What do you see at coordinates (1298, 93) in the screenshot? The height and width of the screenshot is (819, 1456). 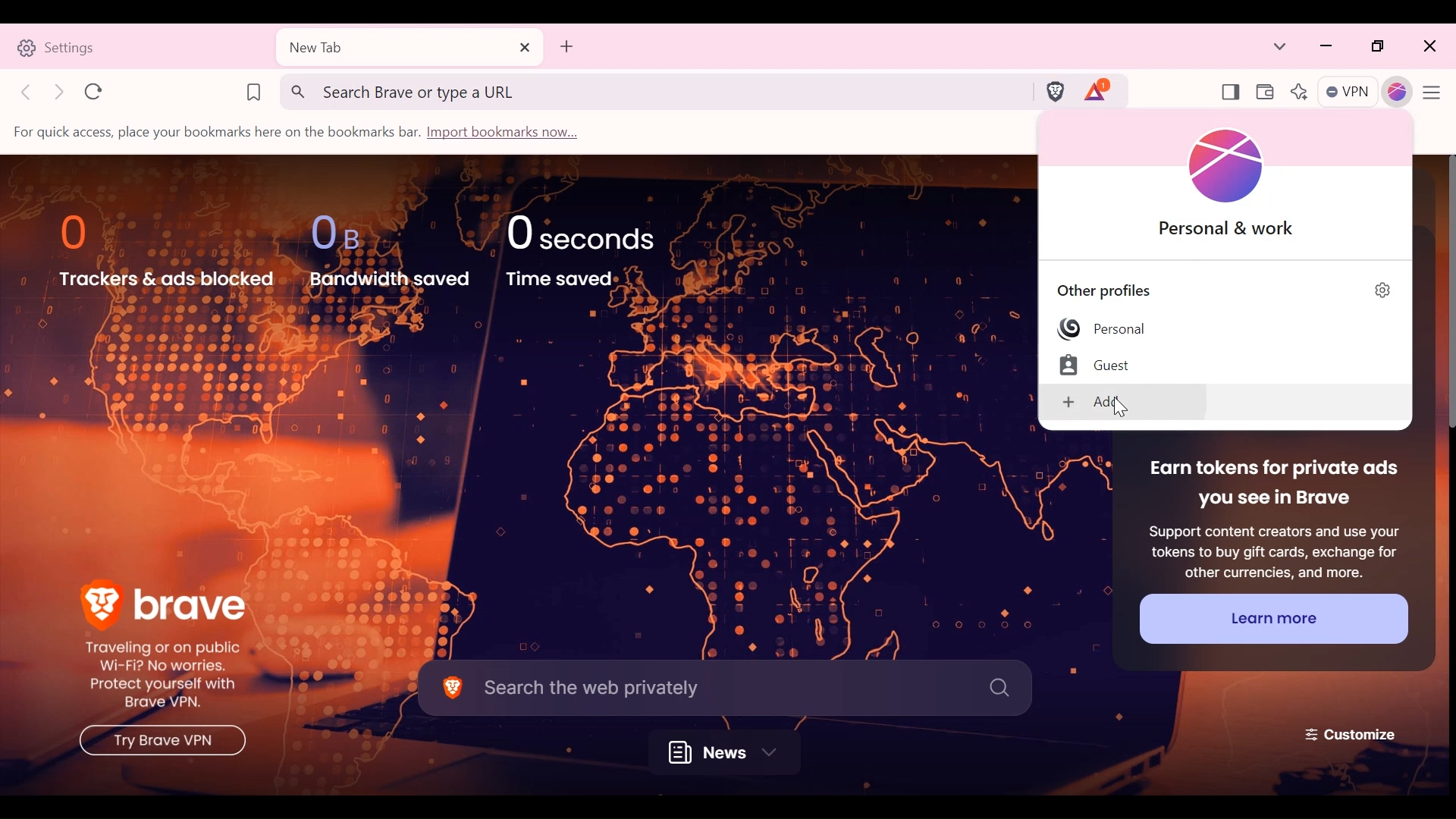 I see `Leo AI` at bounding box center [1298, 93].